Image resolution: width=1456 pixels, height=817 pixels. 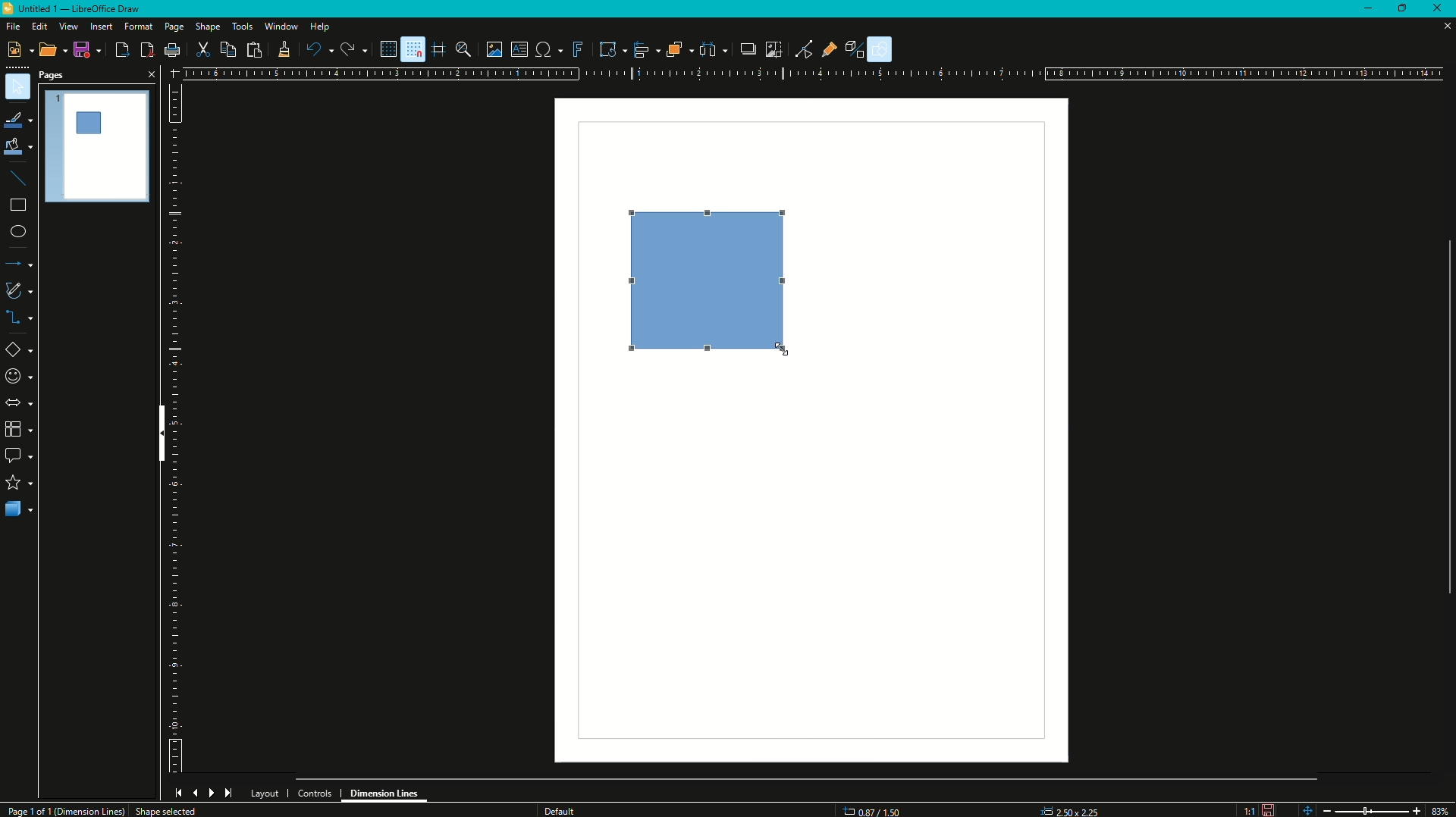 What do you see at coordinates (17, 377) in the screenshot?
I see `Insert Characters` at bounding box center [17, 377].